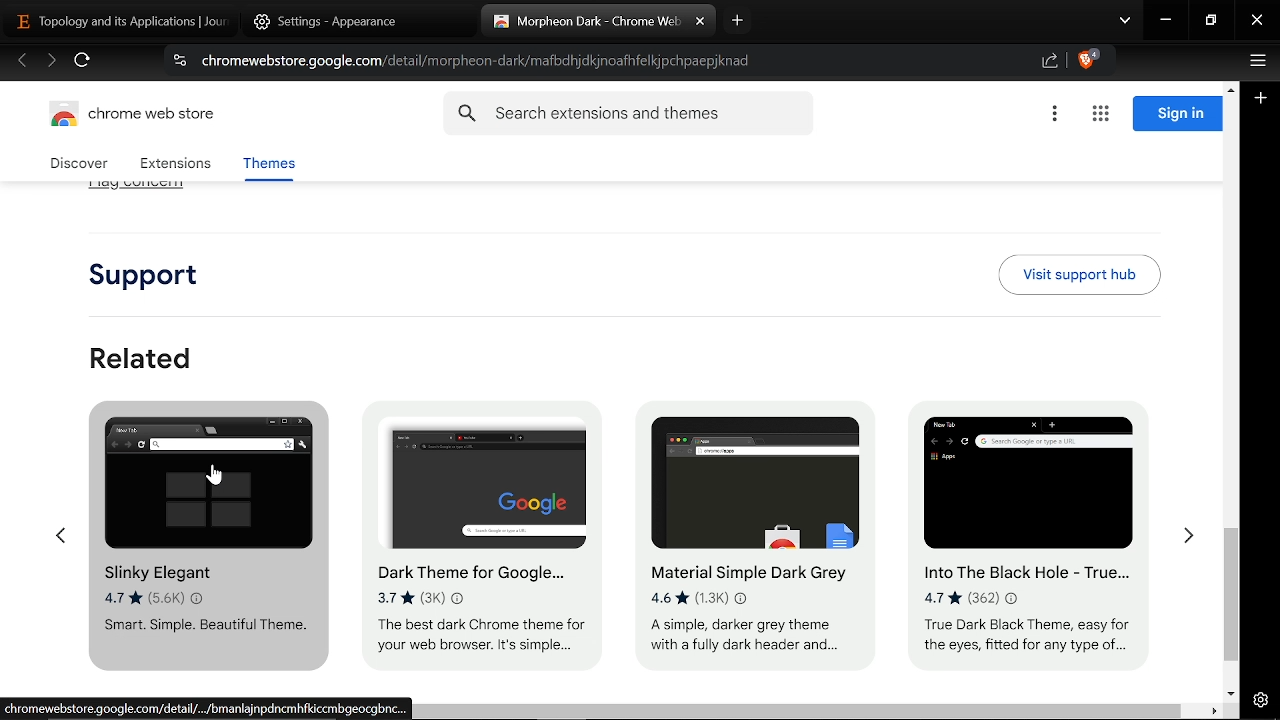  I want to click on scroll bar, so click(803, 712).